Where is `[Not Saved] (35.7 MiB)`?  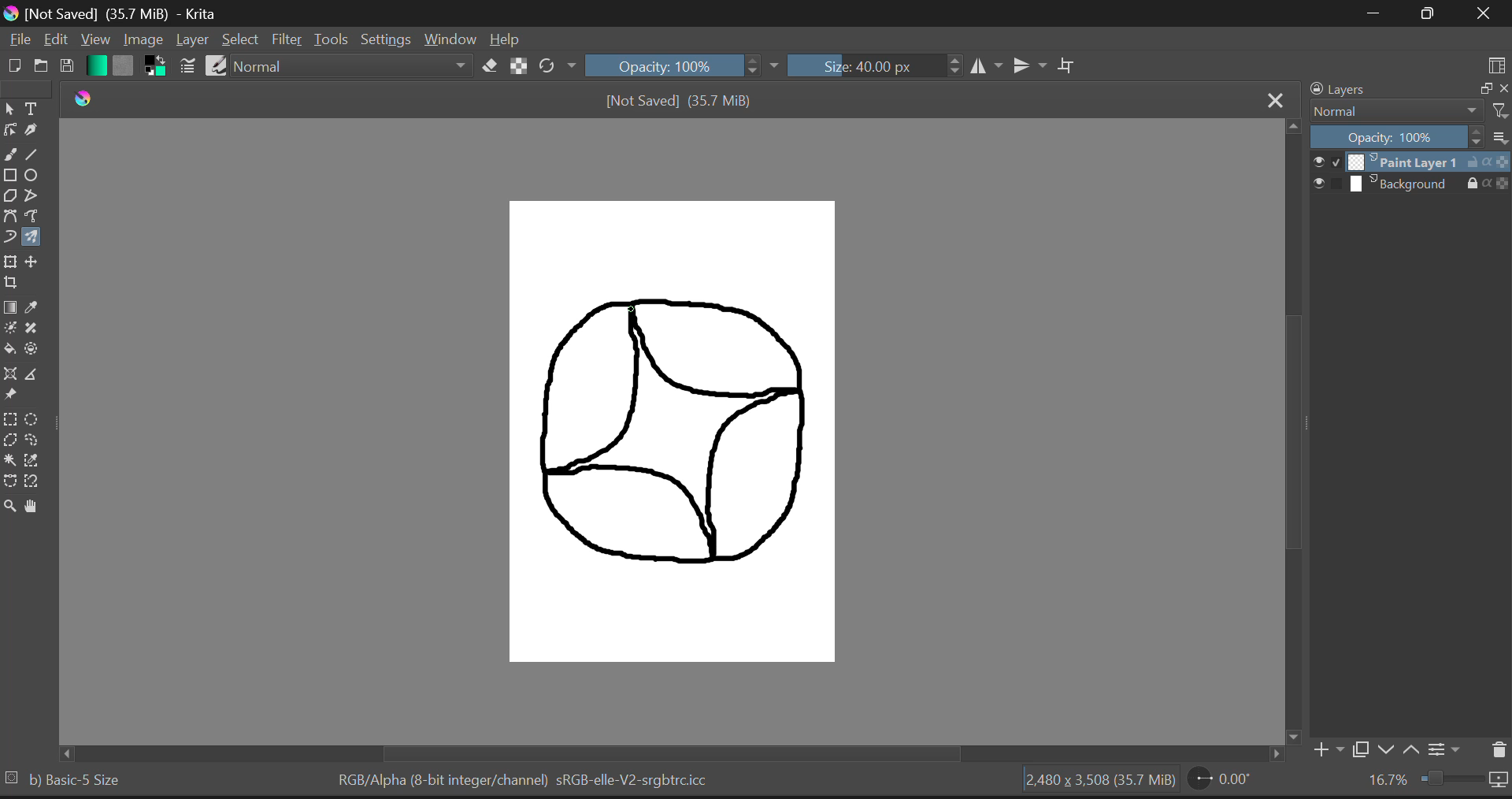 [Not Saved] (35.7 MiB) is located at coordinates (694, 102).